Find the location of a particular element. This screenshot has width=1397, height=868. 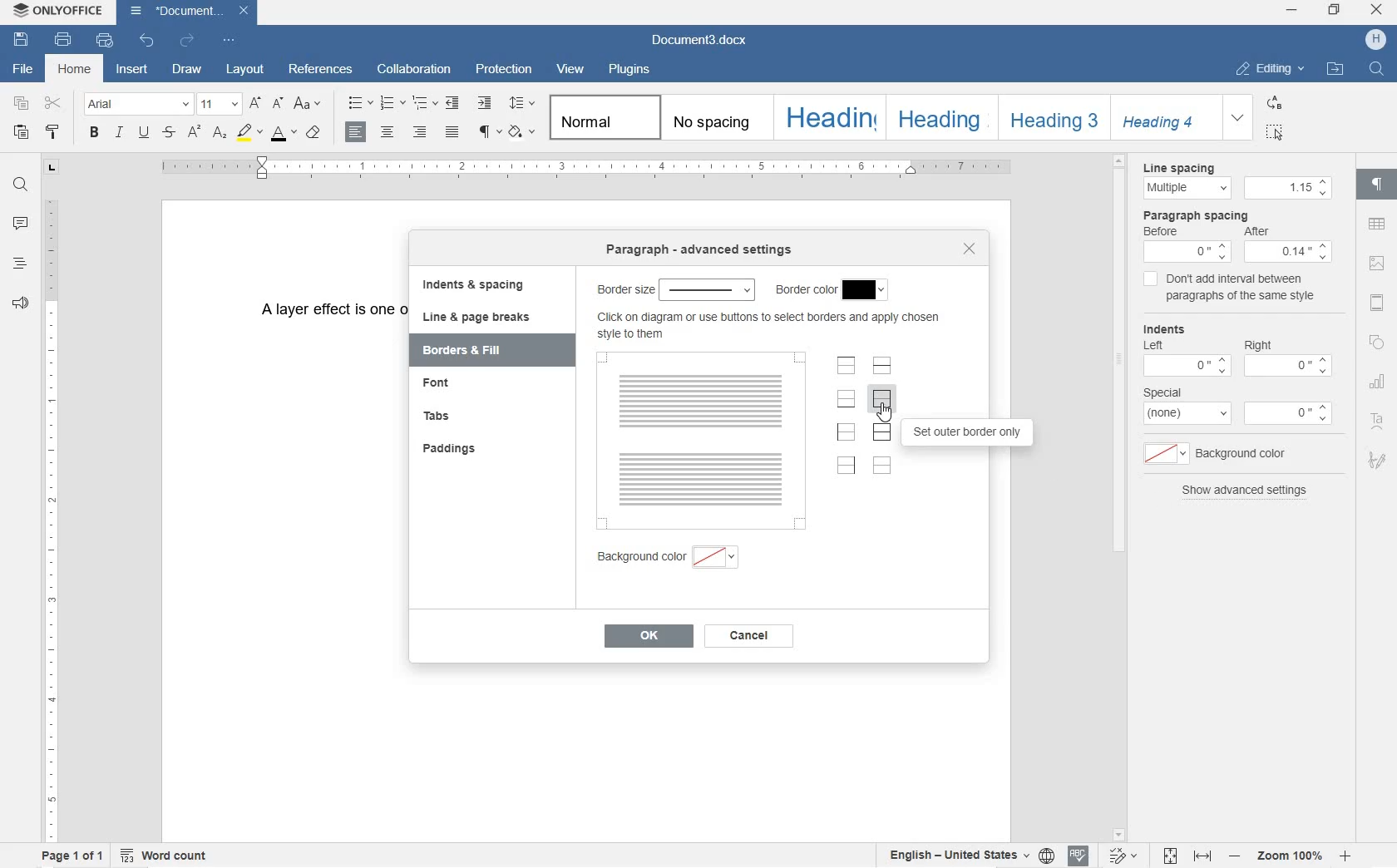

show advanced settings is located at coordinates (1246, 493).